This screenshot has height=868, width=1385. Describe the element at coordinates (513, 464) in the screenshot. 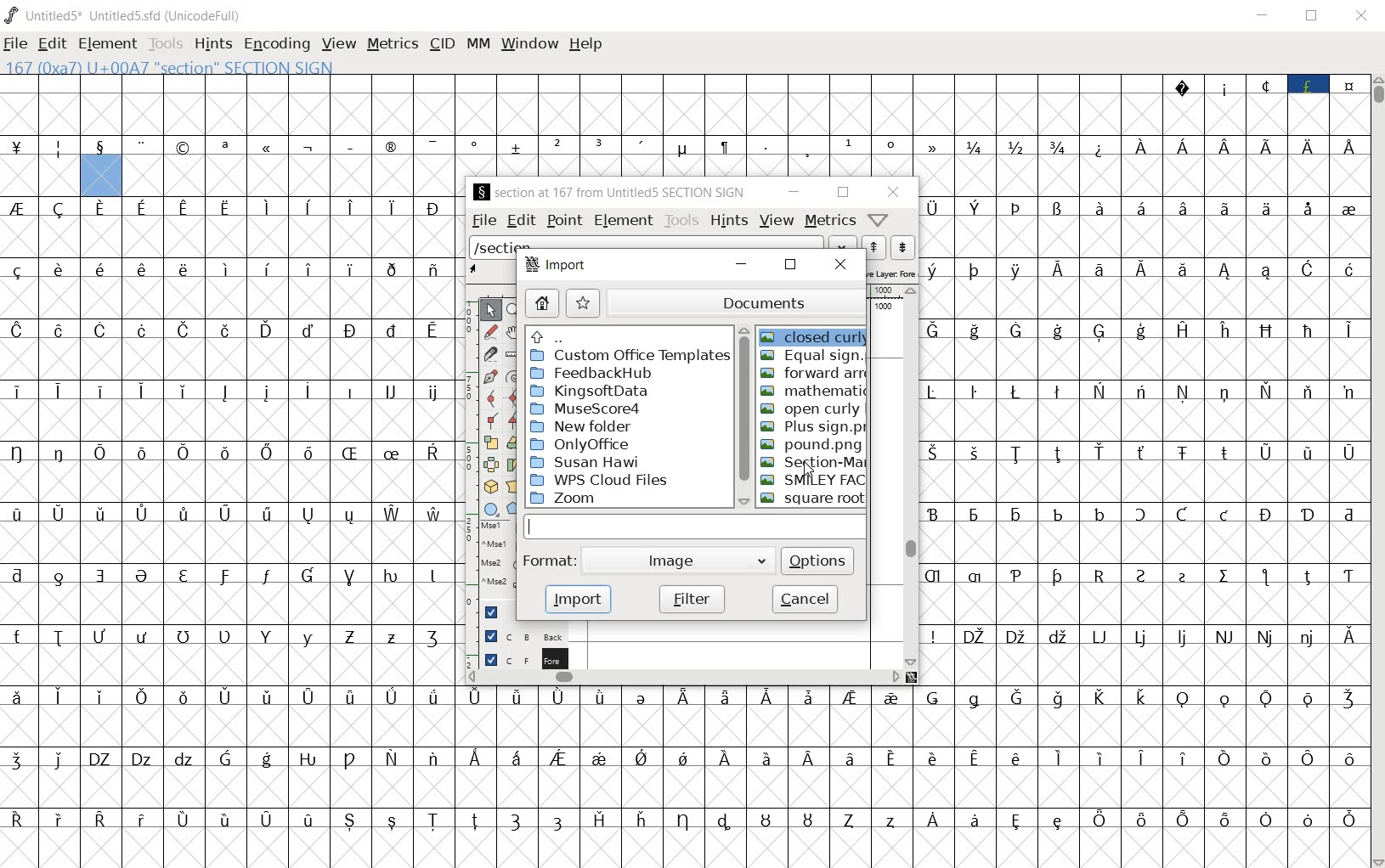

I see `skew the selection` at that location.